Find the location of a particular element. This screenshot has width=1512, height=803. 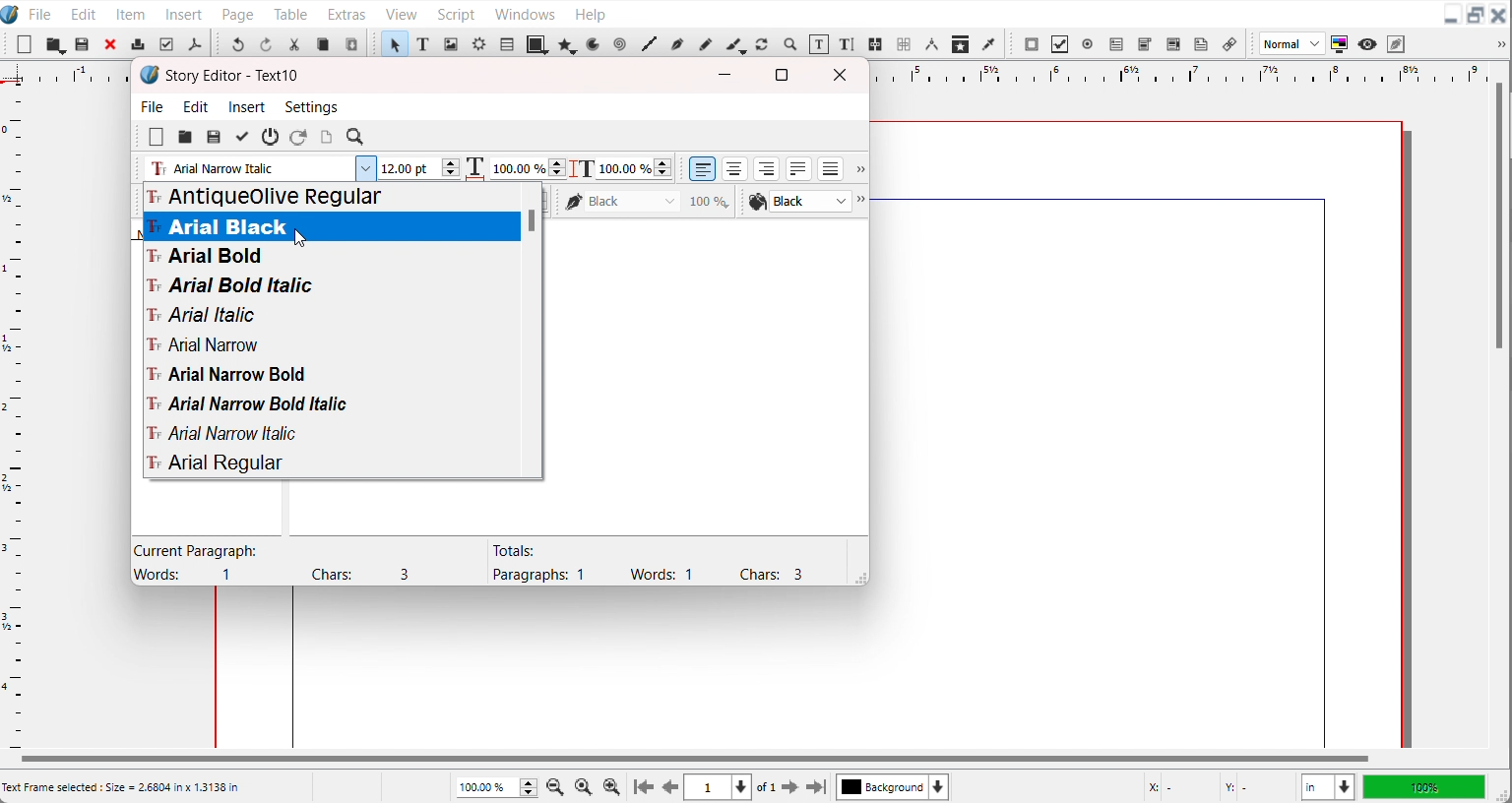

Item is located at coordinates (132, 14).